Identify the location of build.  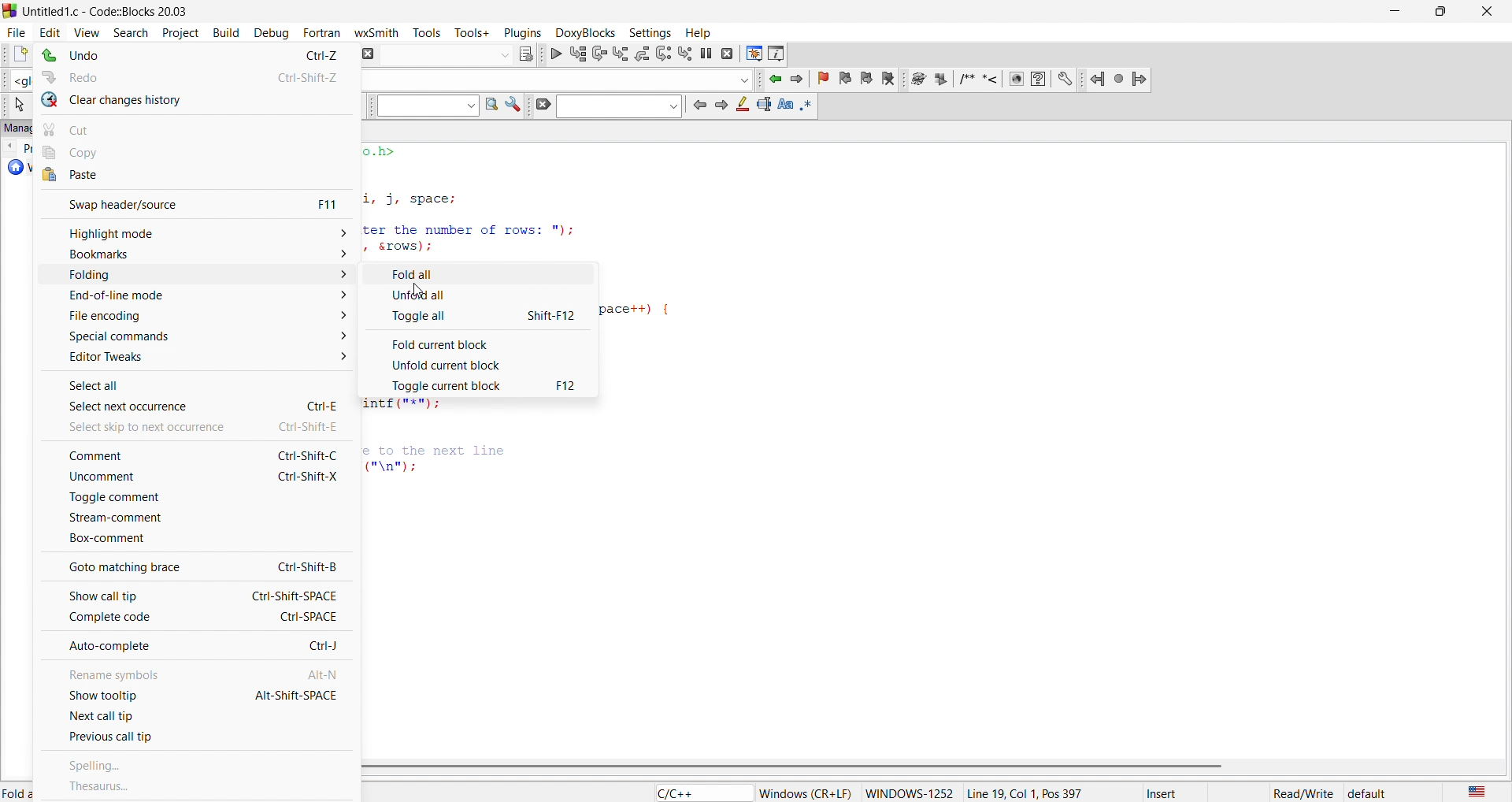
(224, 31).